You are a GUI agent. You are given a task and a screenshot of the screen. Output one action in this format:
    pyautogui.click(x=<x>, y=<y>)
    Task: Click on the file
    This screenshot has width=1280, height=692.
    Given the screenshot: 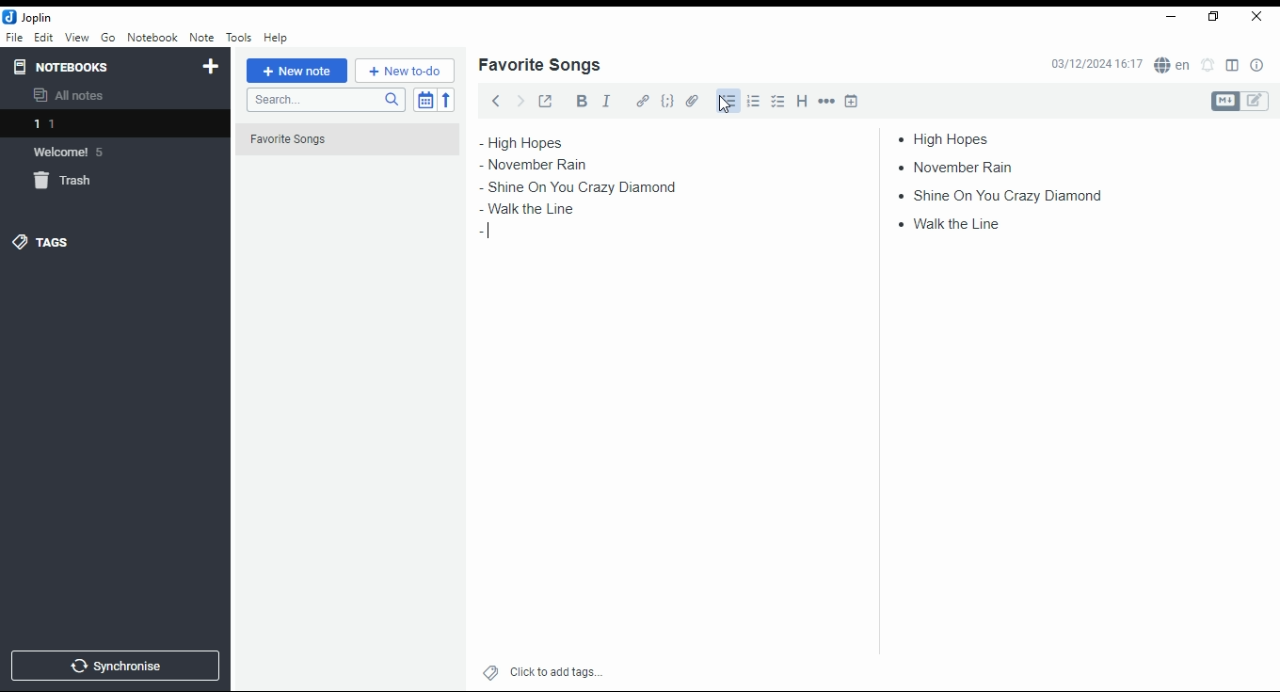 What is the action you would take?
    pyautogui.click(x=14, y=36)
    